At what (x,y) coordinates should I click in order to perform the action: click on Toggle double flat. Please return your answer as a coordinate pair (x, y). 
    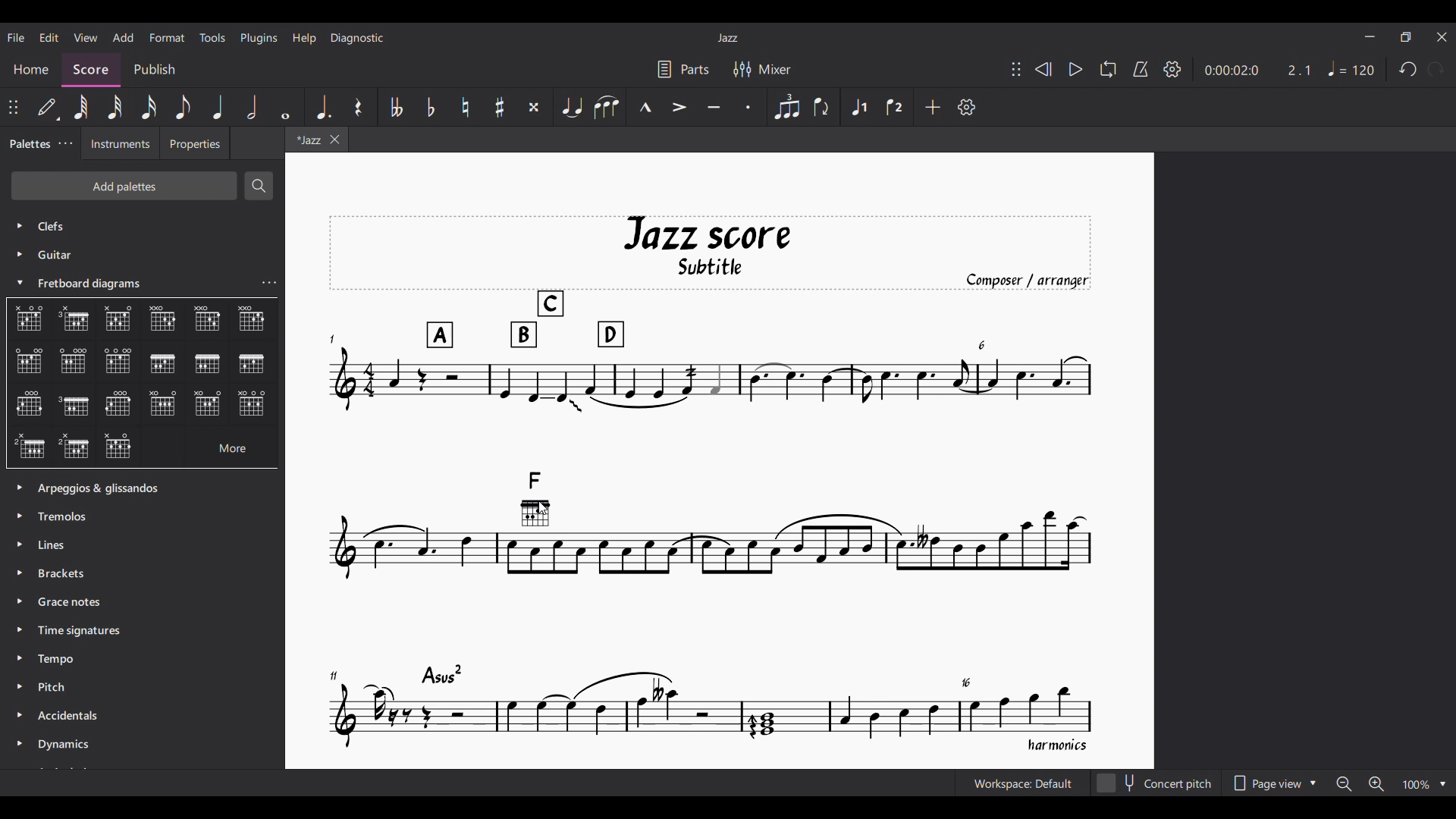
    Looking at the image, I should click on (395, 107).